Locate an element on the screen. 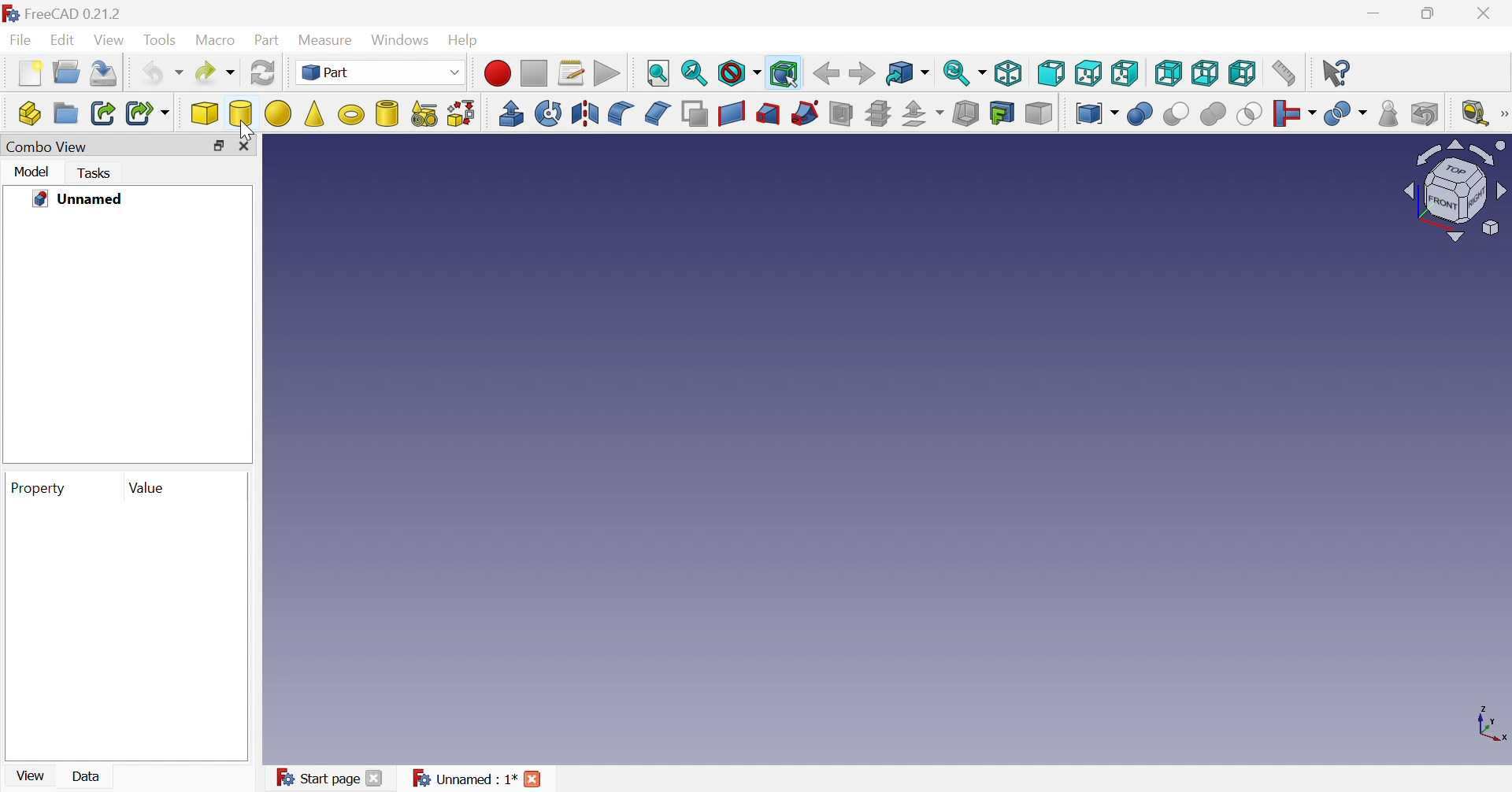 The image size is (1512, 792). Tools is located at coordinates (161, 40).